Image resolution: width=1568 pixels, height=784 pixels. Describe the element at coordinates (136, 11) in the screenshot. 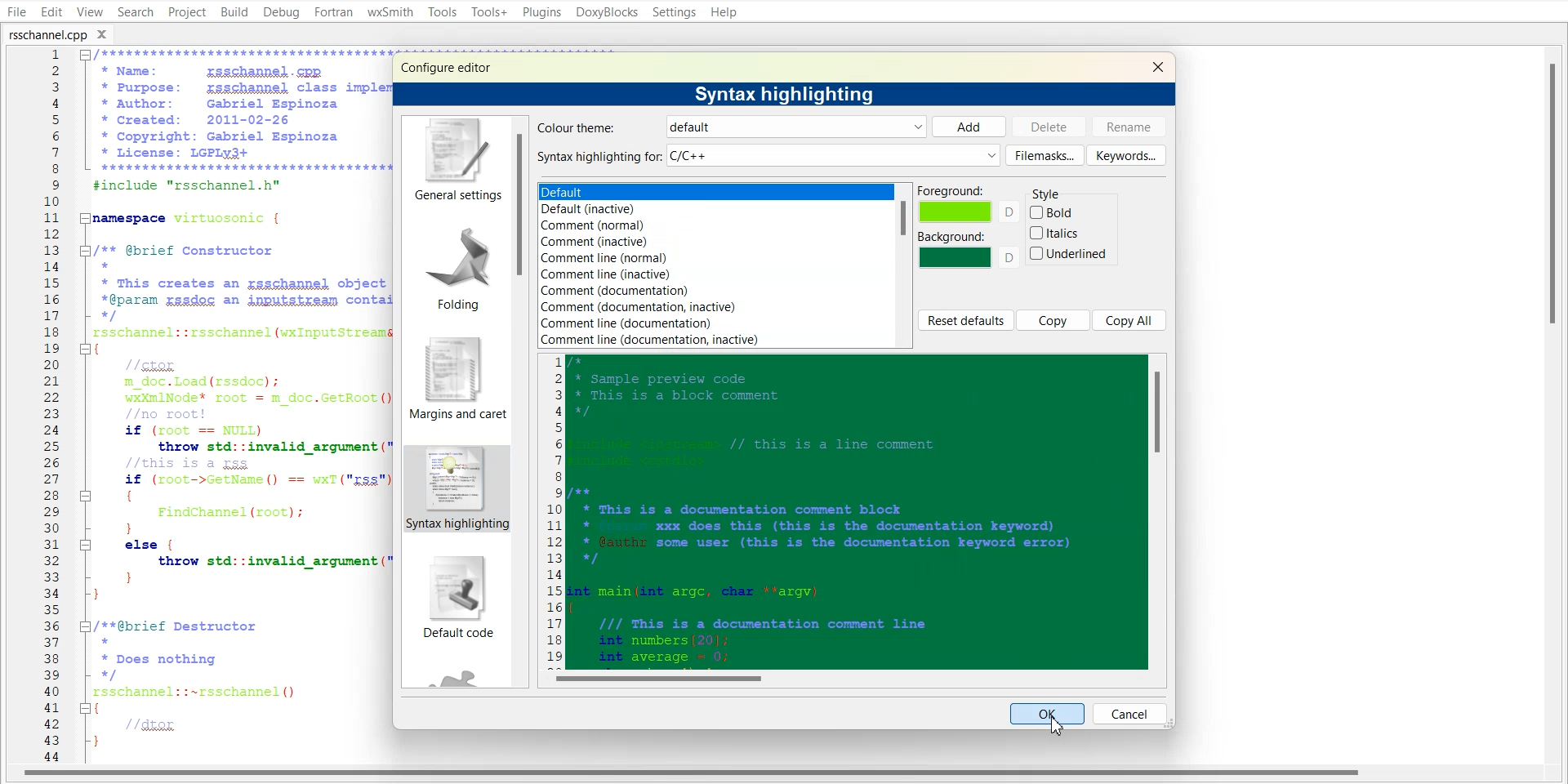

I see `Search` at that location.